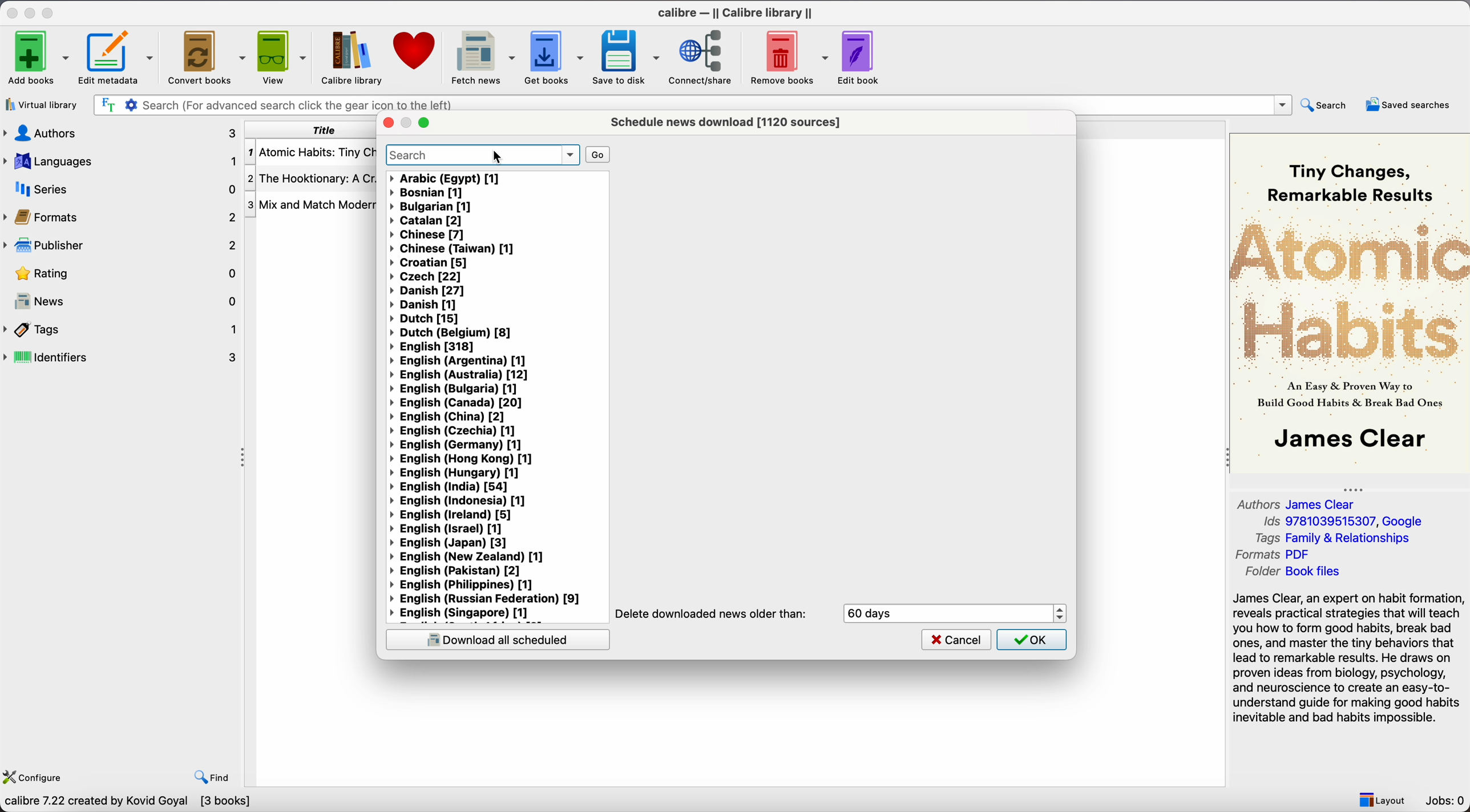 This screenshot has height=812, width=1470. Describe the element at coordinates (281, 57) in the screenshot. I see `view` at that location.